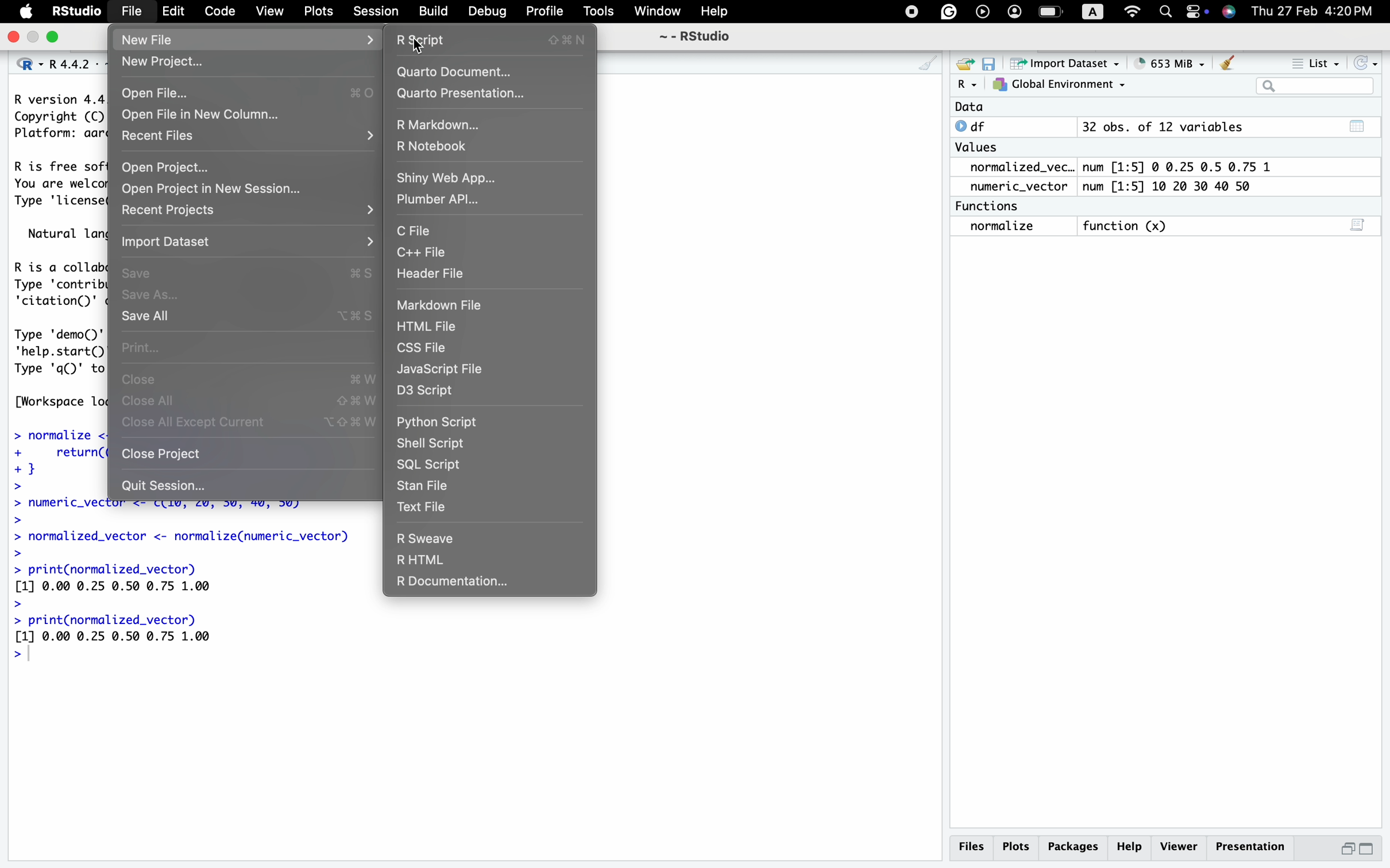 The image size is (1390, 868). What do you see at coordinates (420, 561) in the screenshot?
I see `R HTML` at bounding box center [420, 561].